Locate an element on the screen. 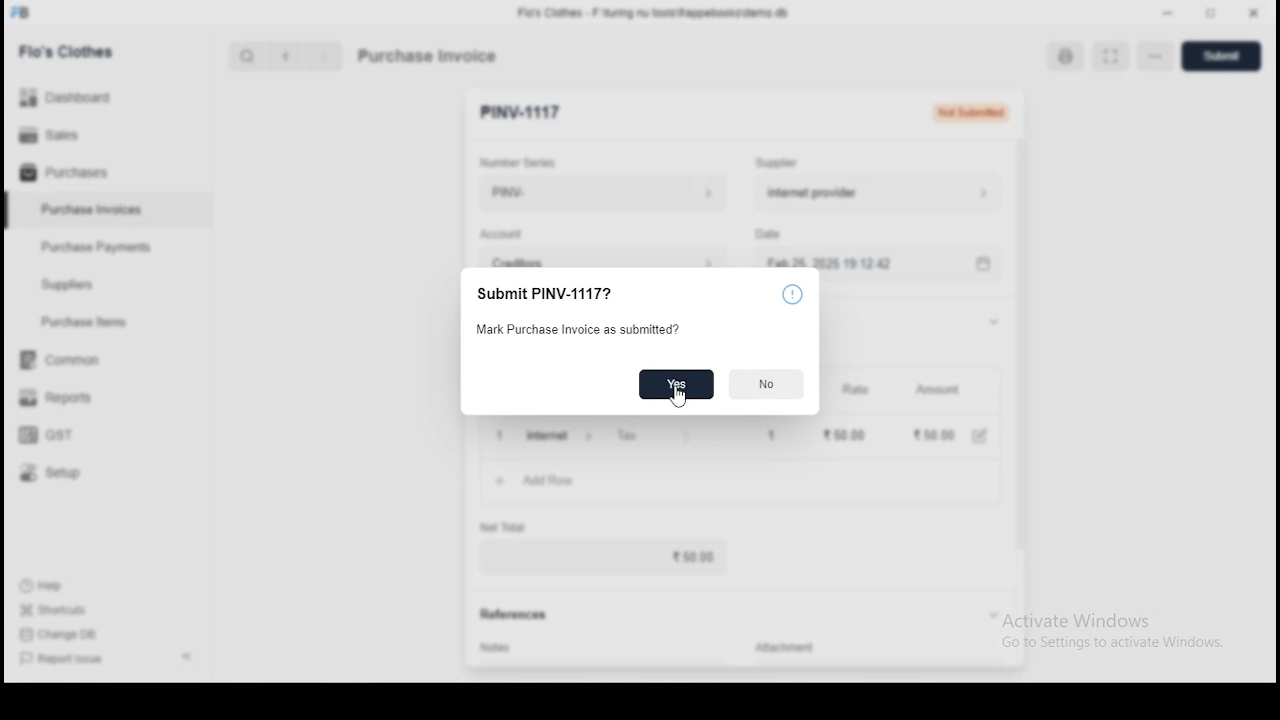  mouse pointer is located at coordinates (678, 399).